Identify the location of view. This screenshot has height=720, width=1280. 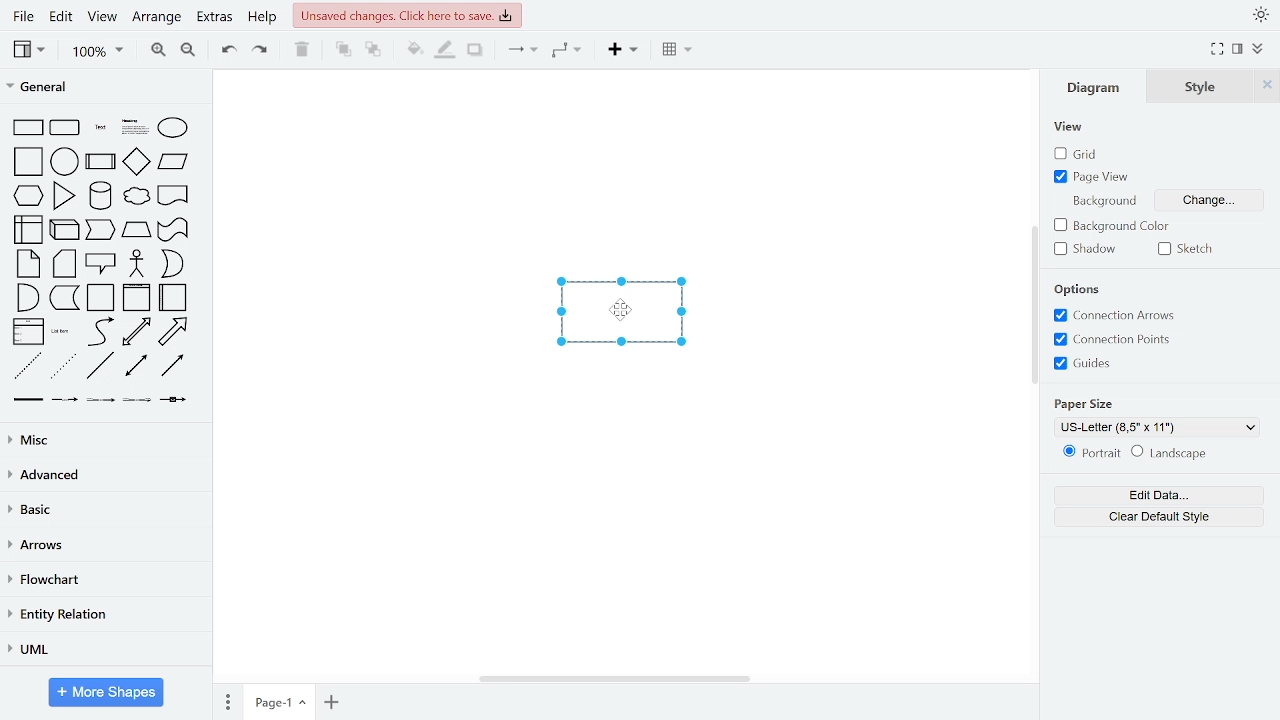
(27, 49).